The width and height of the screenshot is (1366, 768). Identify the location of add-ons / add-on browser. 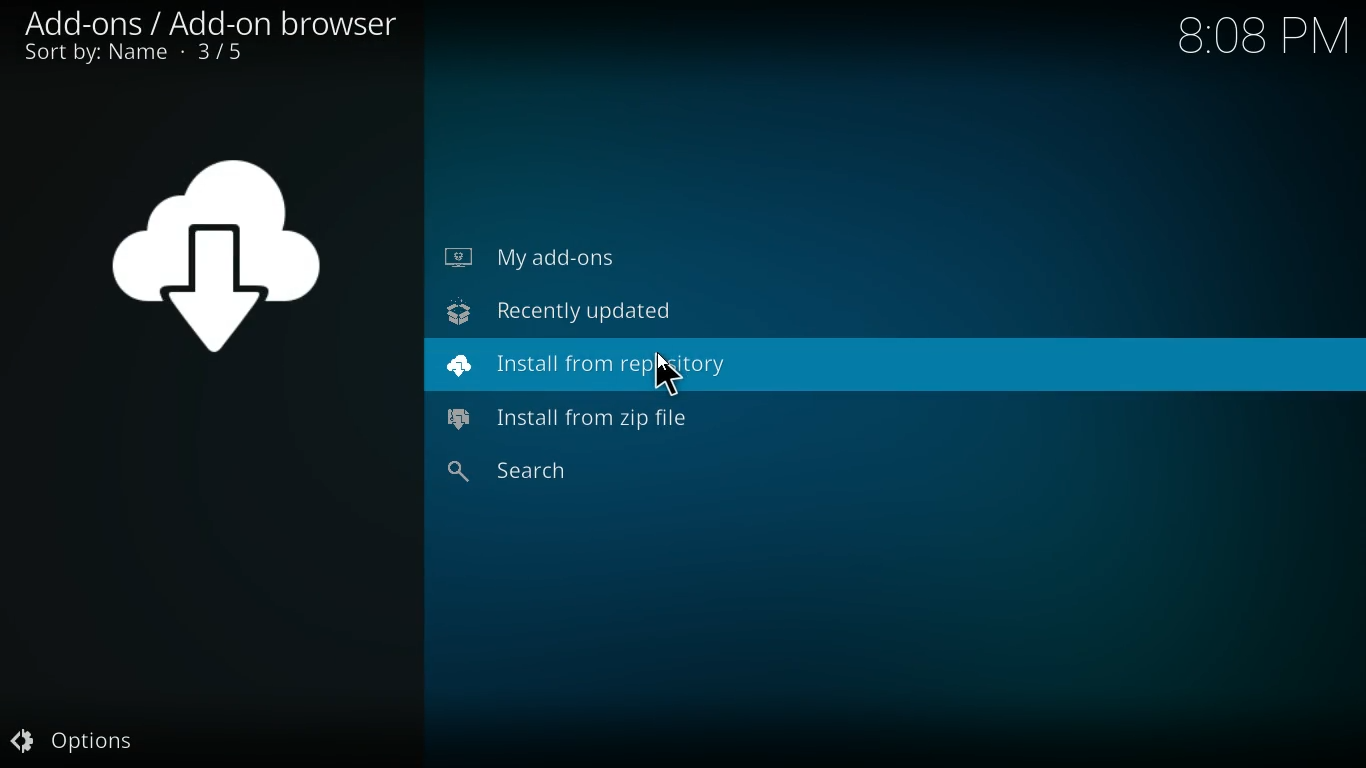
(219, 19).